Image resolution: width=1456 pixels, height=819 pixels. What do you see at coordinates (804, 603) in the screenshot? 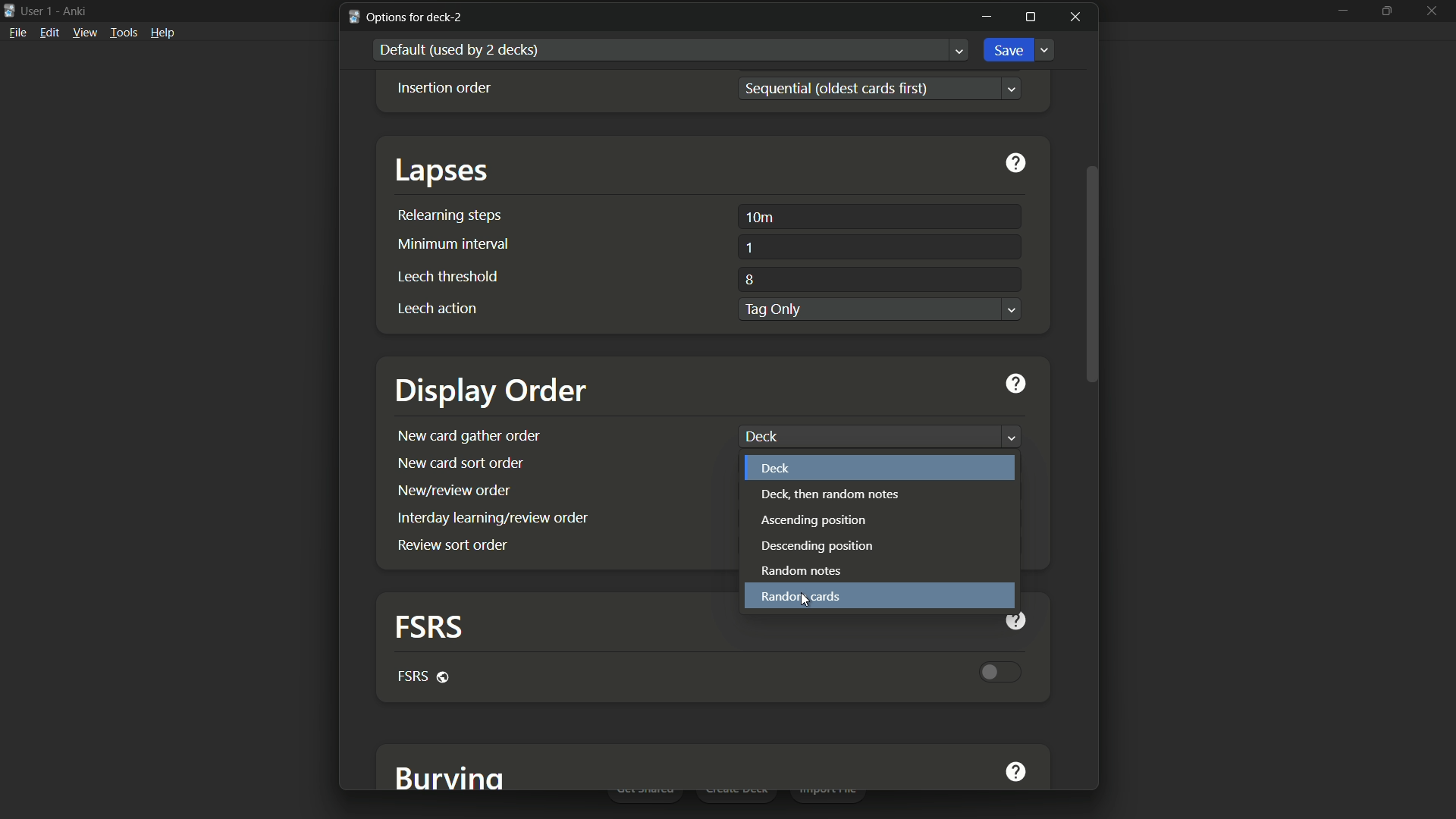
I see `cursor` at bounding box center [804, 603].